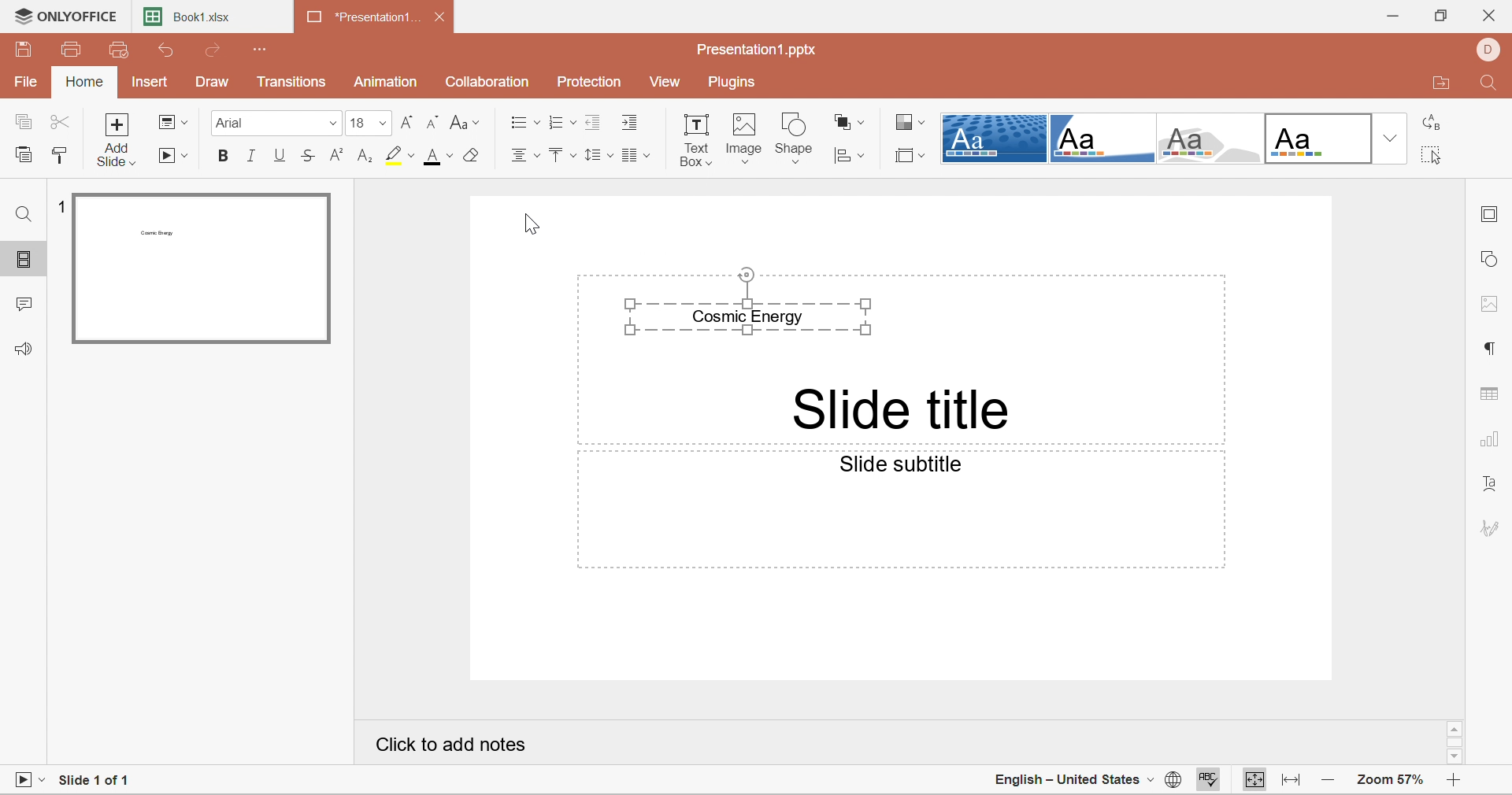 The height and width of the screenshot is (795, 1512). What do you see at coordinates (1492, 305) in the screenshot?
I see `Image settings` at bounding box center [1492, 305].